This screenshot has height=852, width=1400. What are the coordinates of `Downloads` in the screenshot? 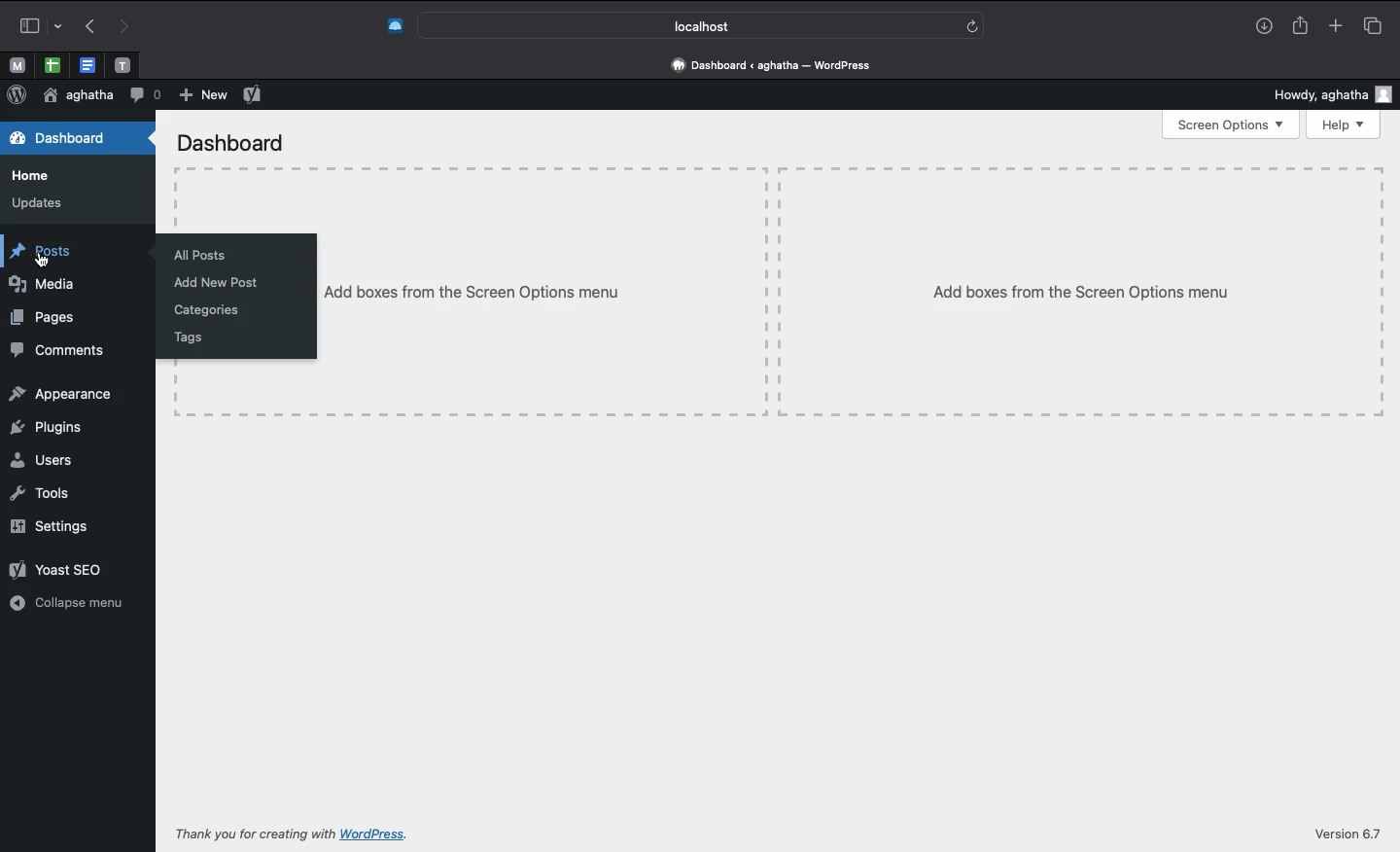 It's located at (1266, 25).